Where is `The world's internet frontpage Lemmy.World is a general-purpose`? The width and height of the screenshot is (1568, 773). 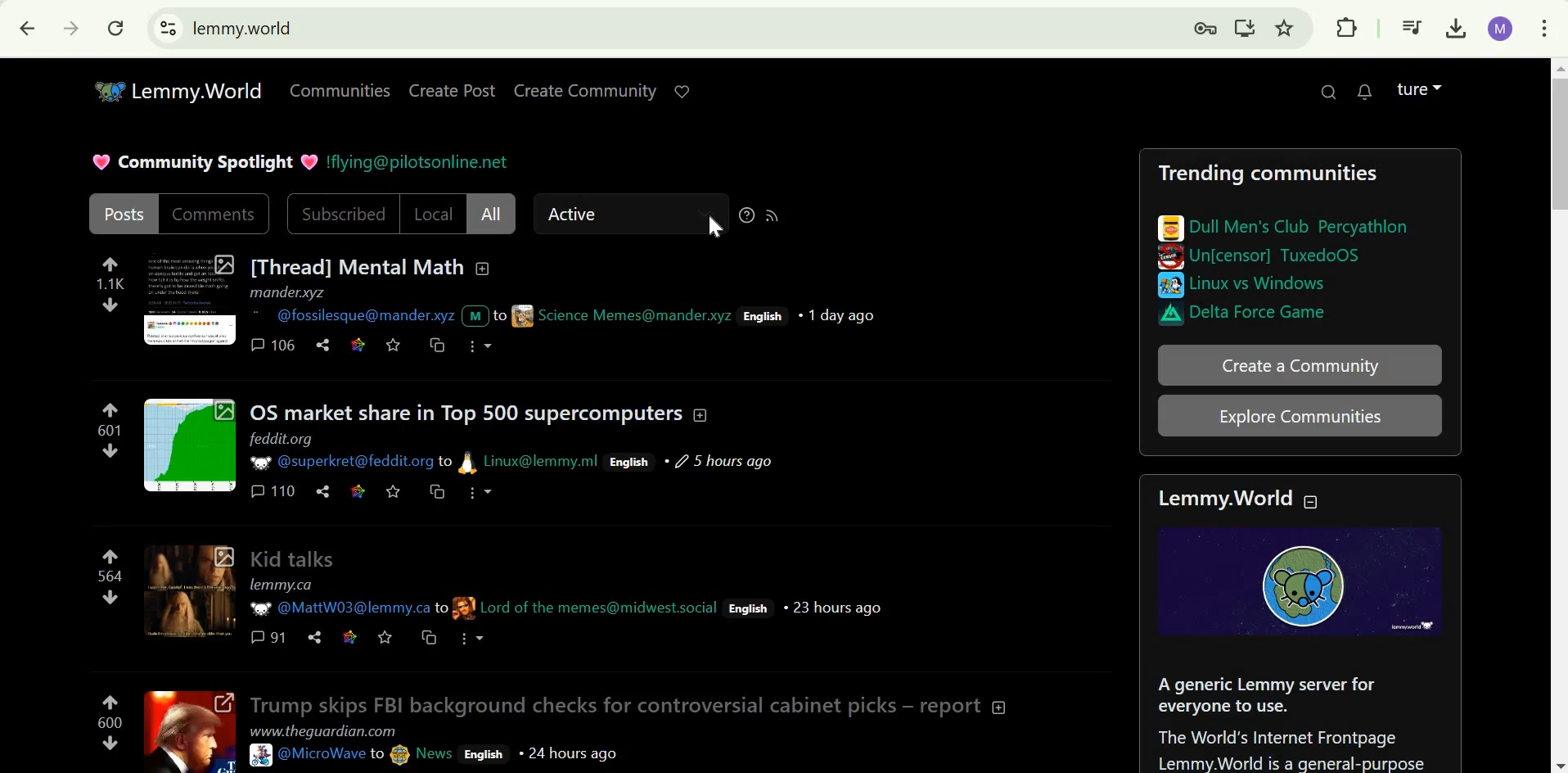 The world's internet frontpage Lemmy.World is a general-purpose is located at coordinates (1291, 748).